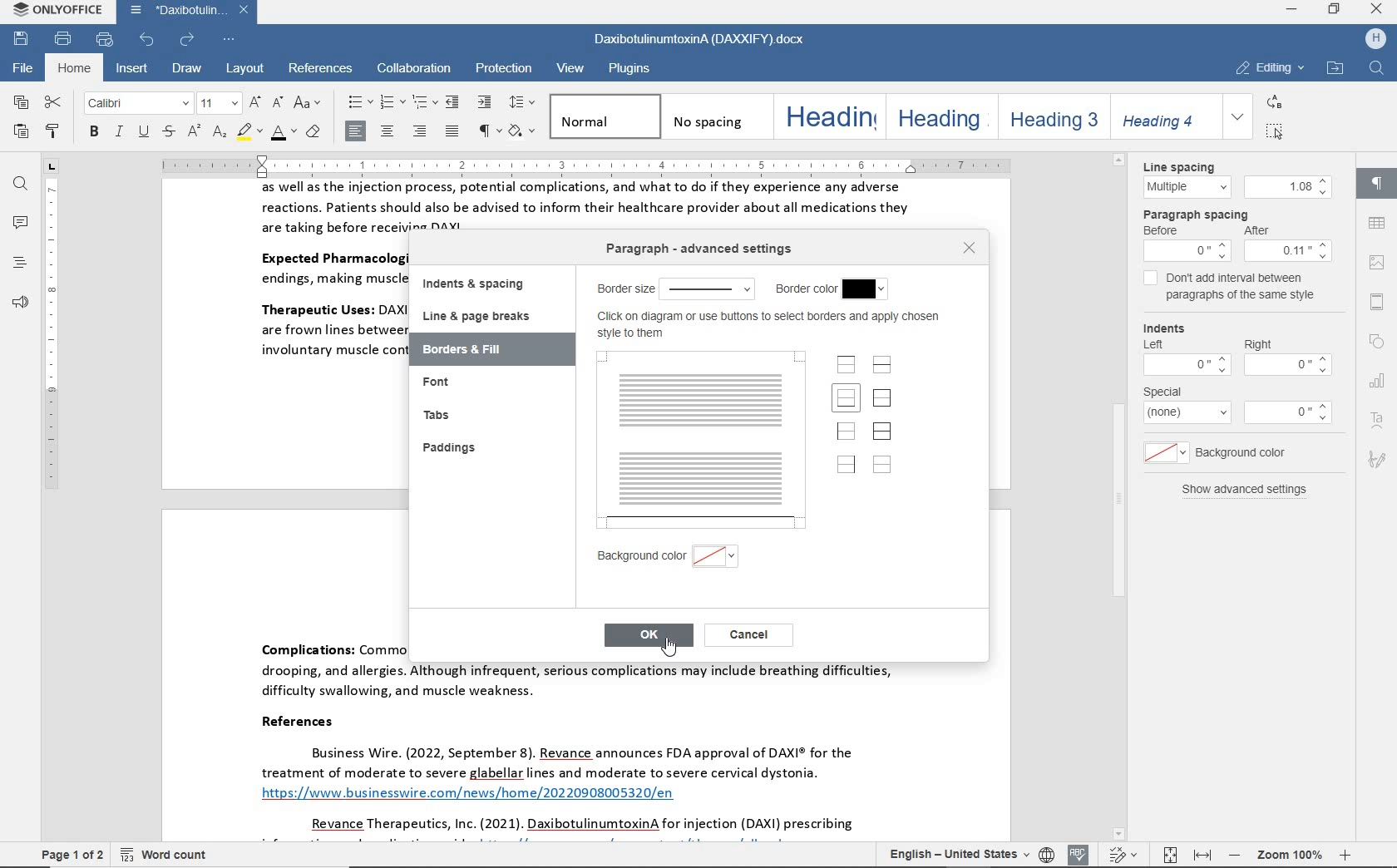  What do you see at coordinates (1161, 116) in the screenshot?
I see `heading 4` at bounding box center [1161, 116].